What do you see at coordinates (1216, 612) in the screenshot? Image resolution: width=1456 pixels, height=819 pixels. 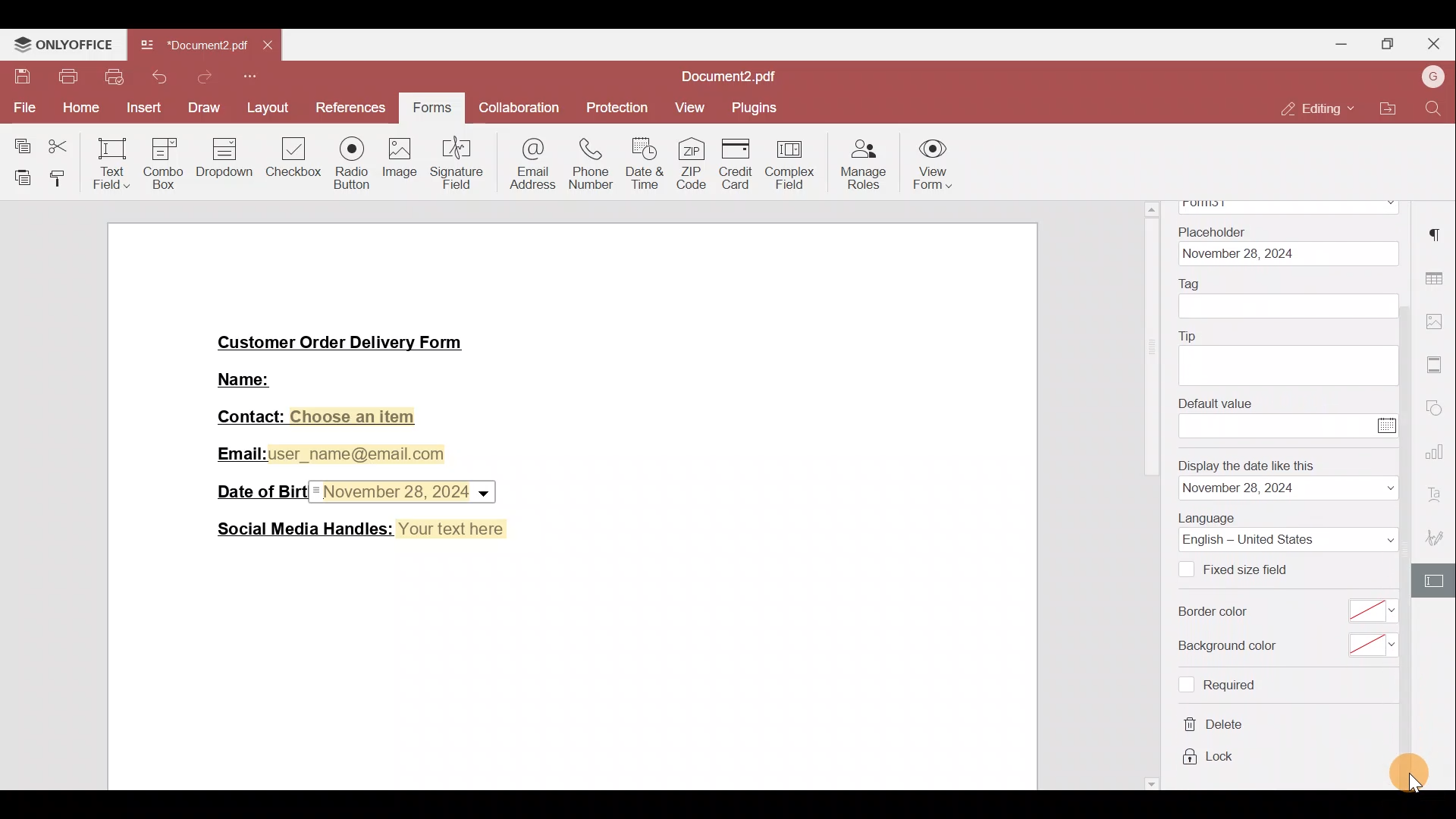 I see `Border color` at bounding box center [1216, 612].